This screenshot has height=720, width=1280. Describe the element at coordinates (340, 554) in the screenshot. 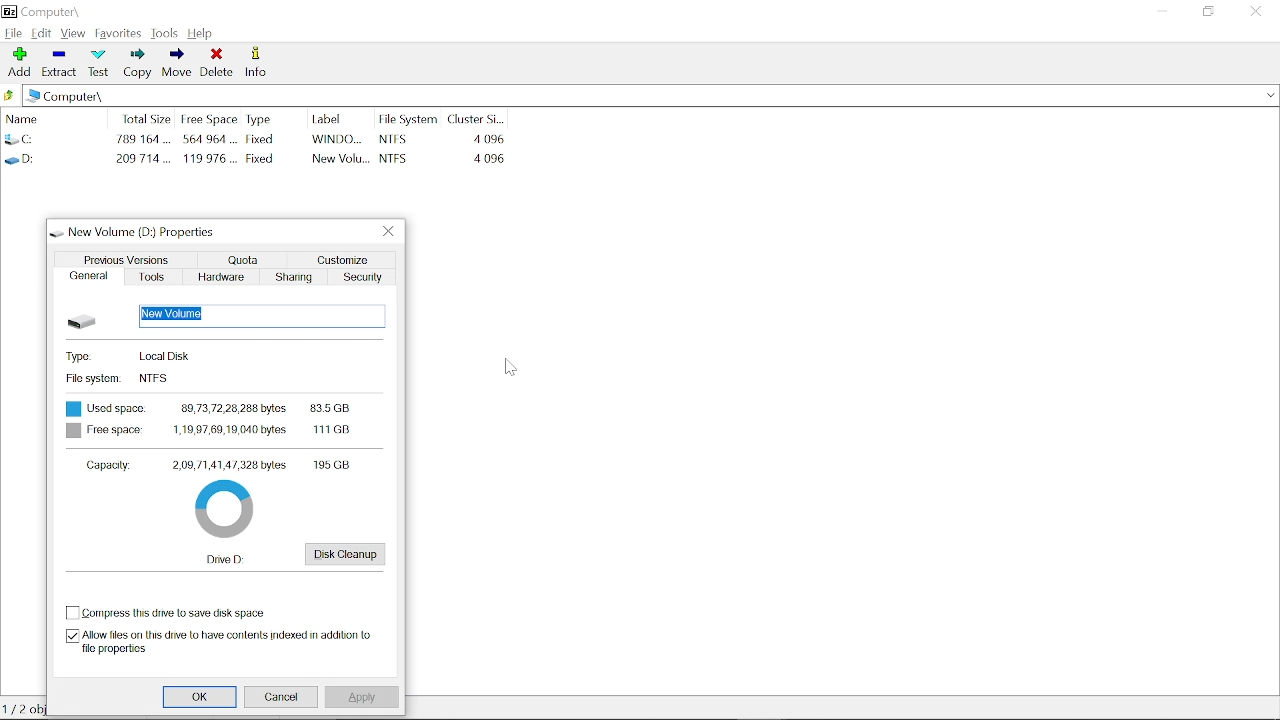

I see `disk cleanup` at that location.